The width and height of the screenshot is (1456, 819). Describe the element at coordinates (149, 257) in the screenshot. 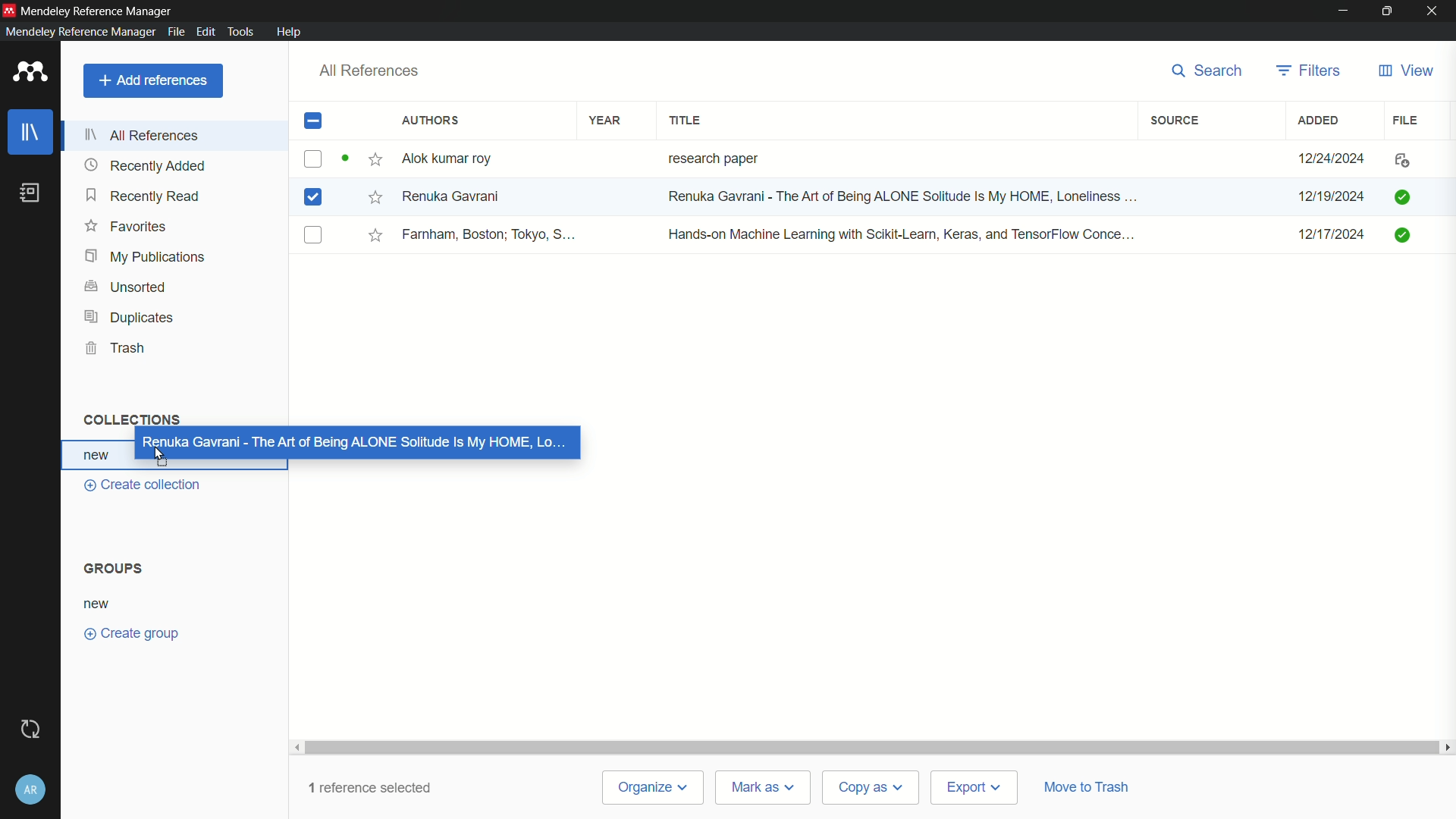

I see `my publications` at that location.